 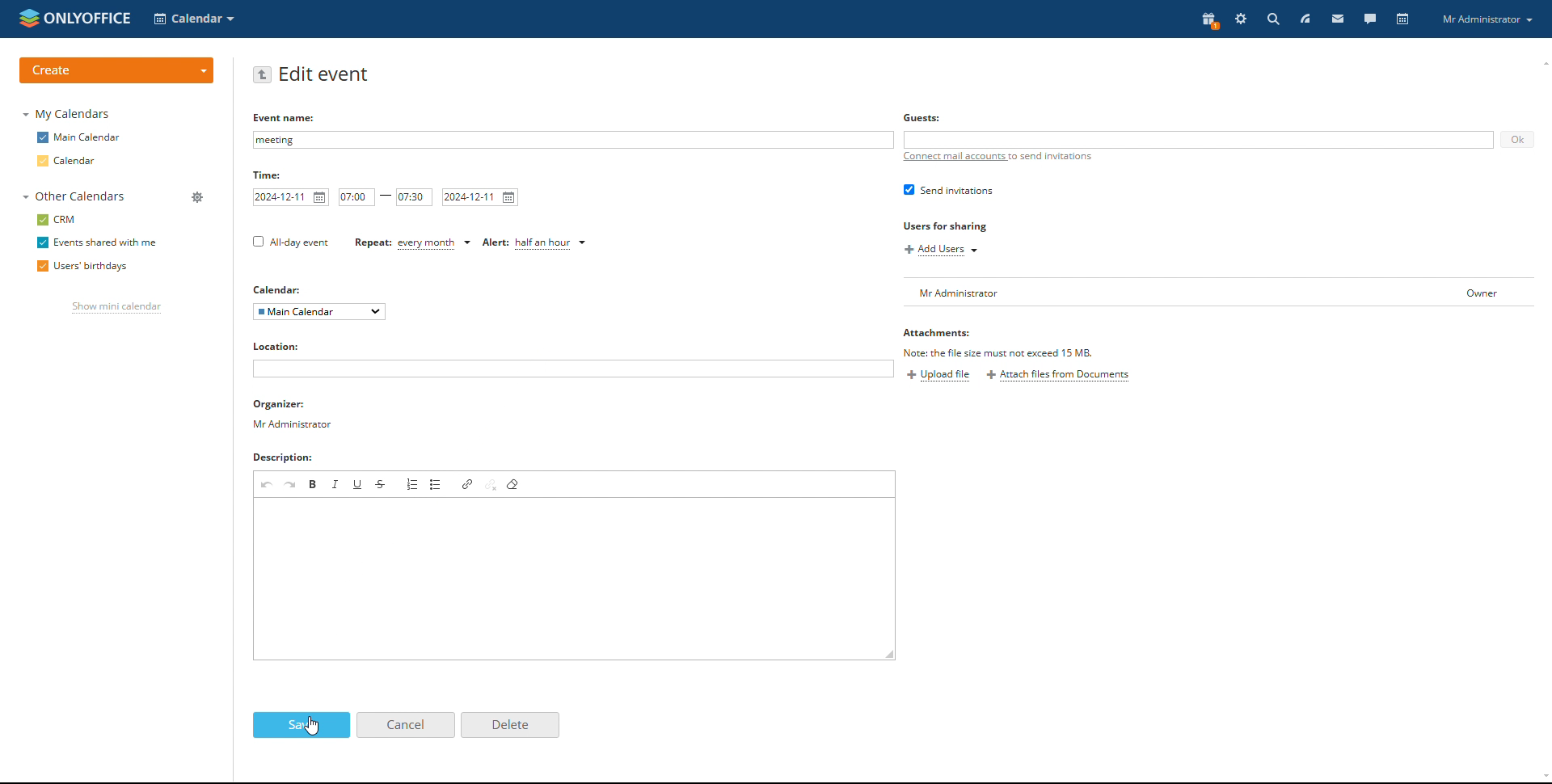 I want to click on insert/remove numbered list, so click(x=411, y=484).